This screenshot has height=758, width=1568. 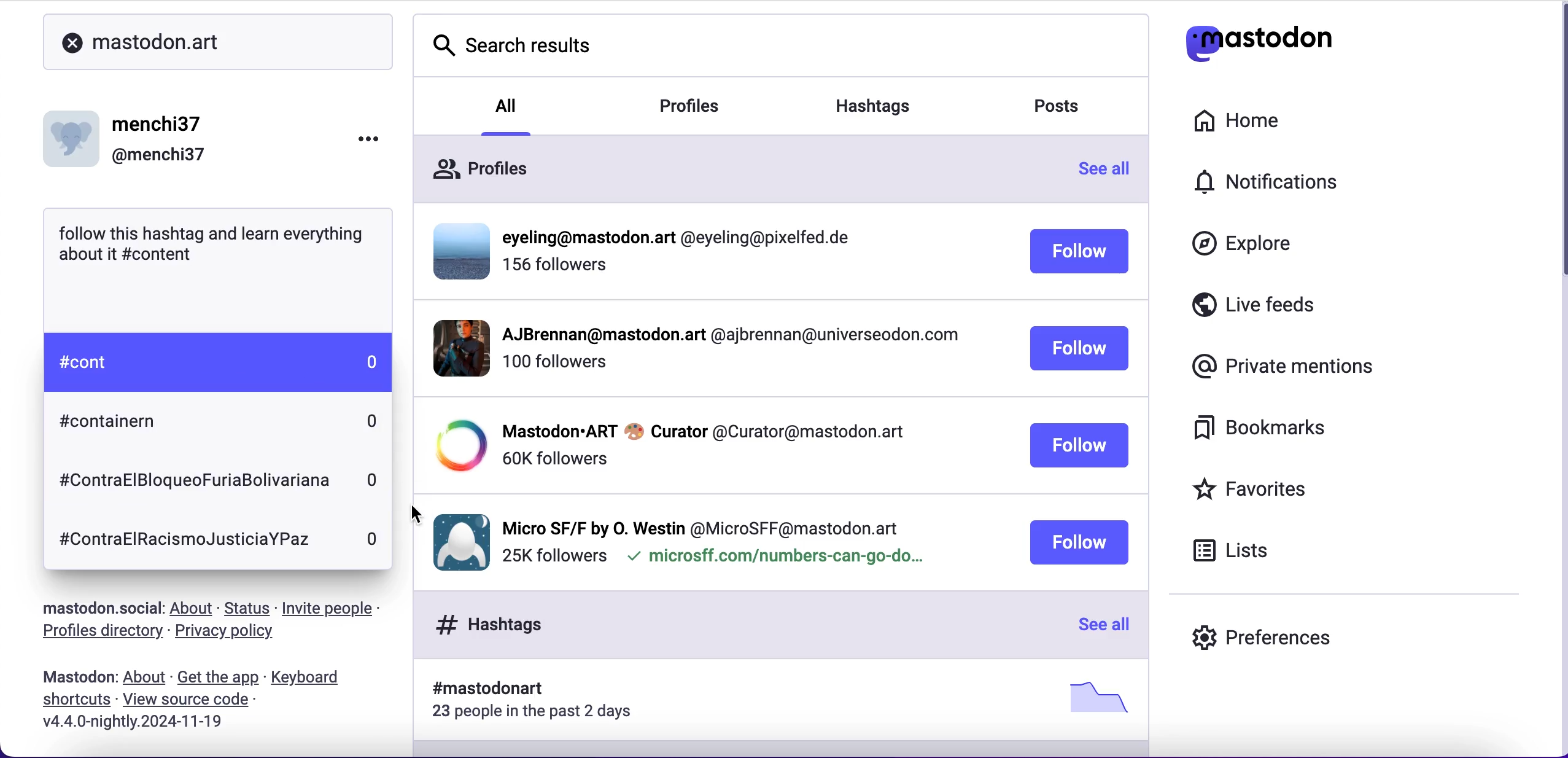 I want to click on posts, so click(x=1068, y=109).